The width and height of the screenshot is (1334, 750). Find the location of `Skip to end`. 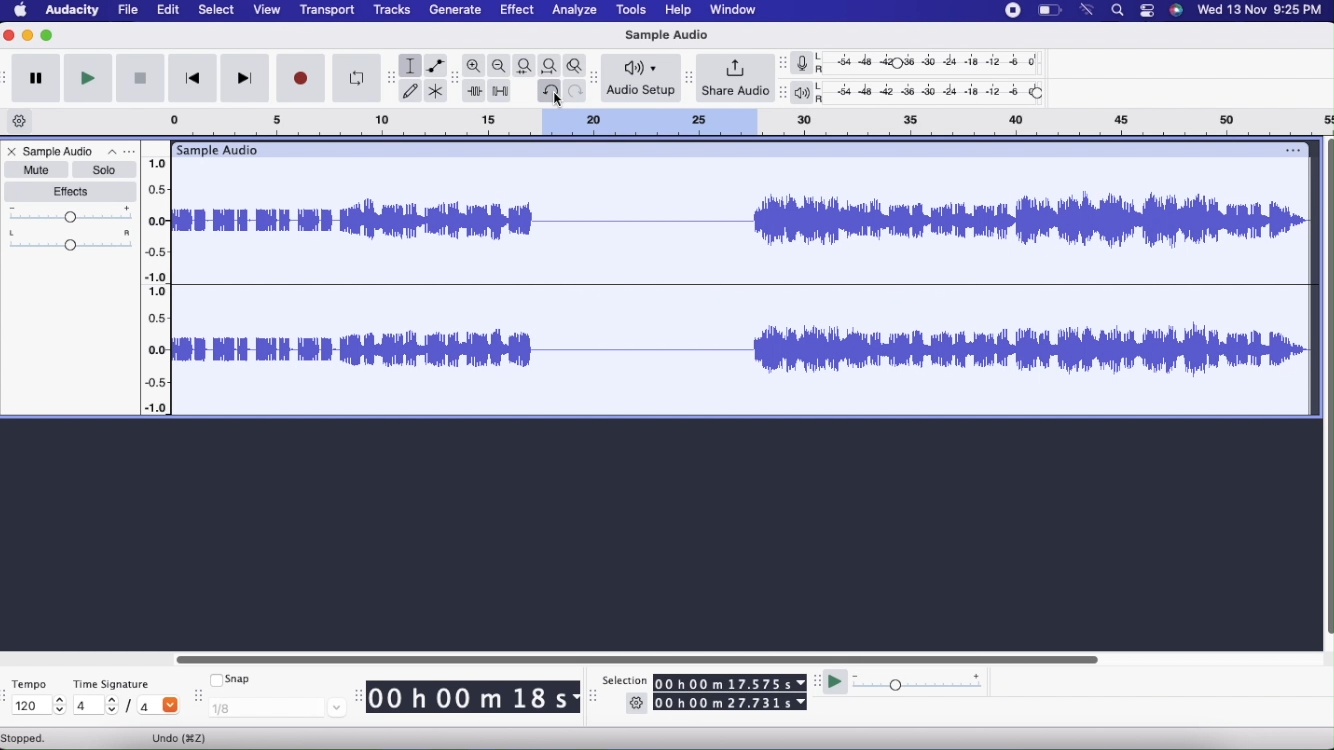

Skip to end is located at coordinates (247, 78).